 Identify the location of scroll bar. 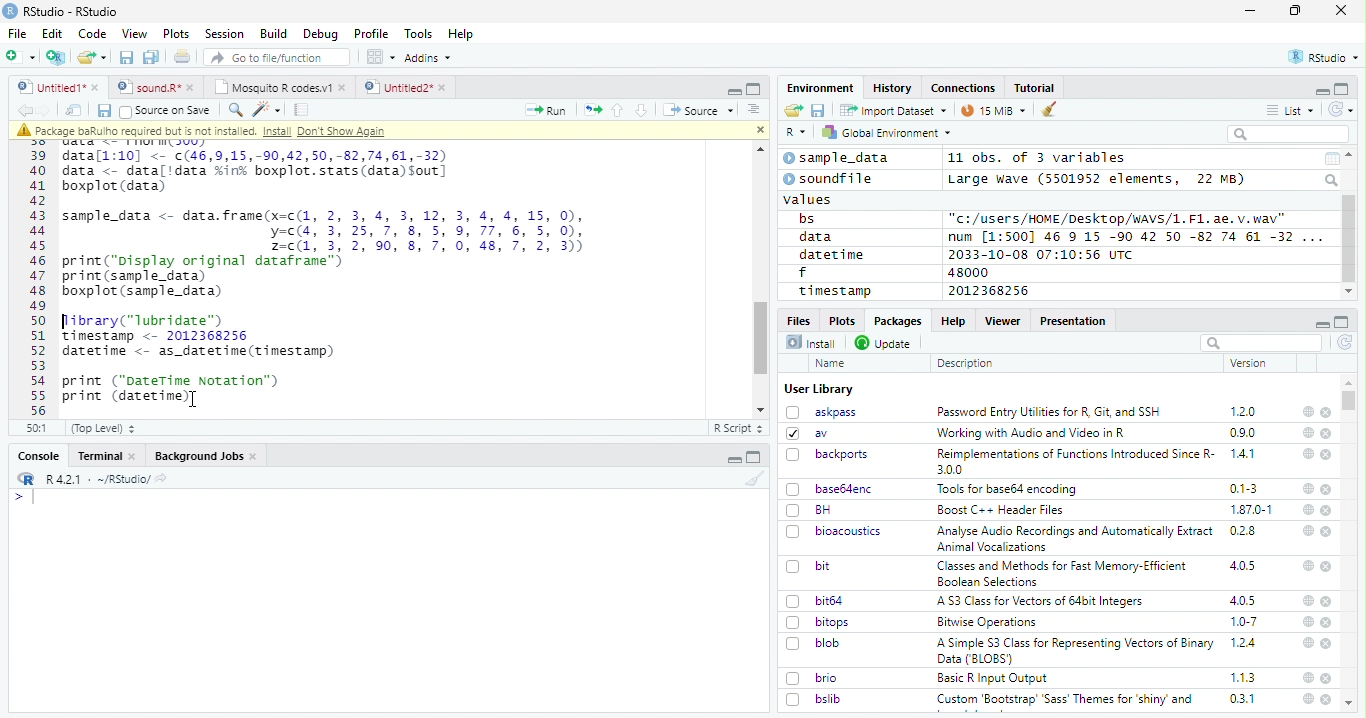
(1350, 400).